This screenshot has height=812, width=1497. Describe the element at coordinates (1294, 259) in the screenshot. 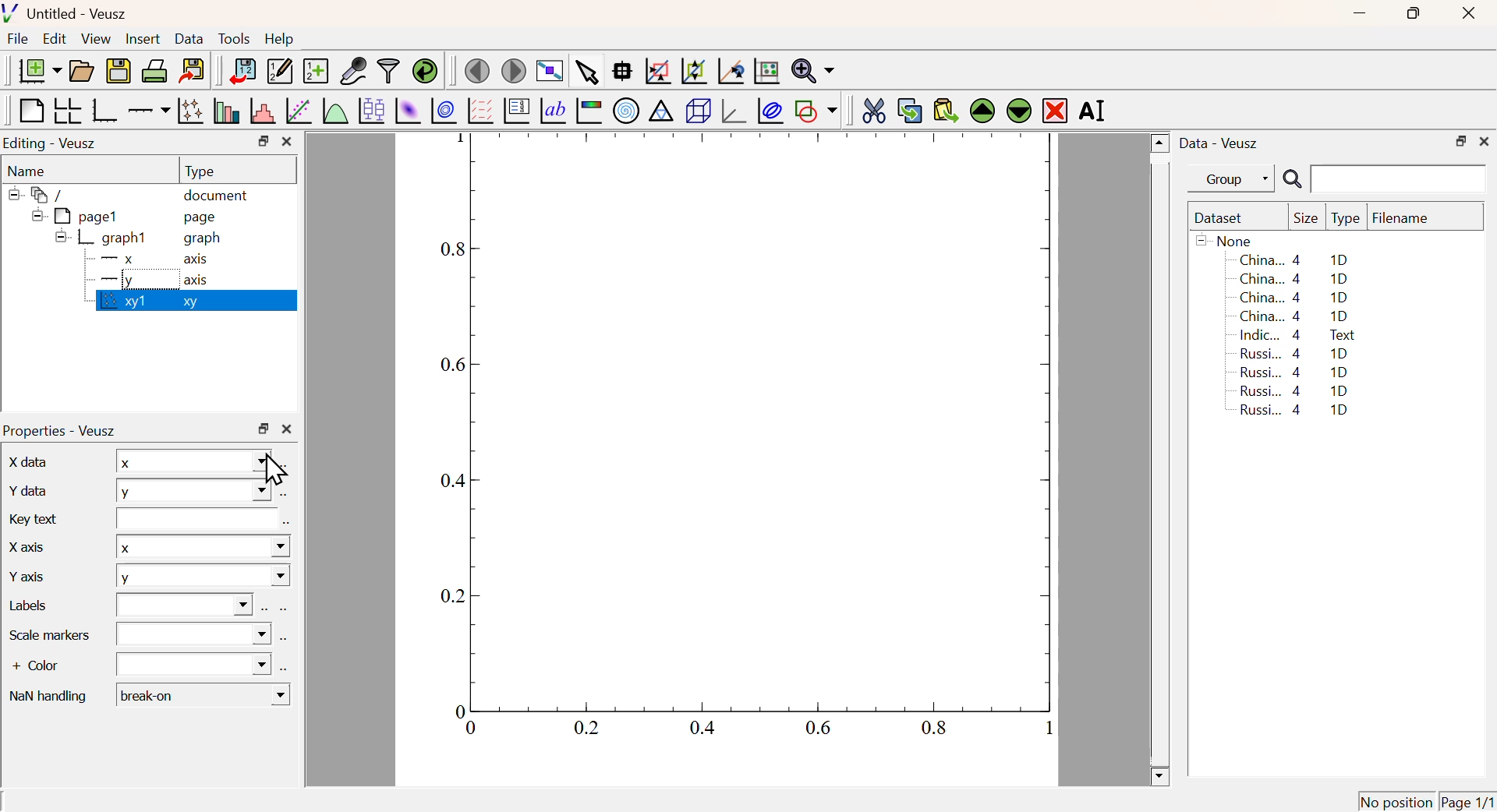

I see `China... 4 1D` at that location.